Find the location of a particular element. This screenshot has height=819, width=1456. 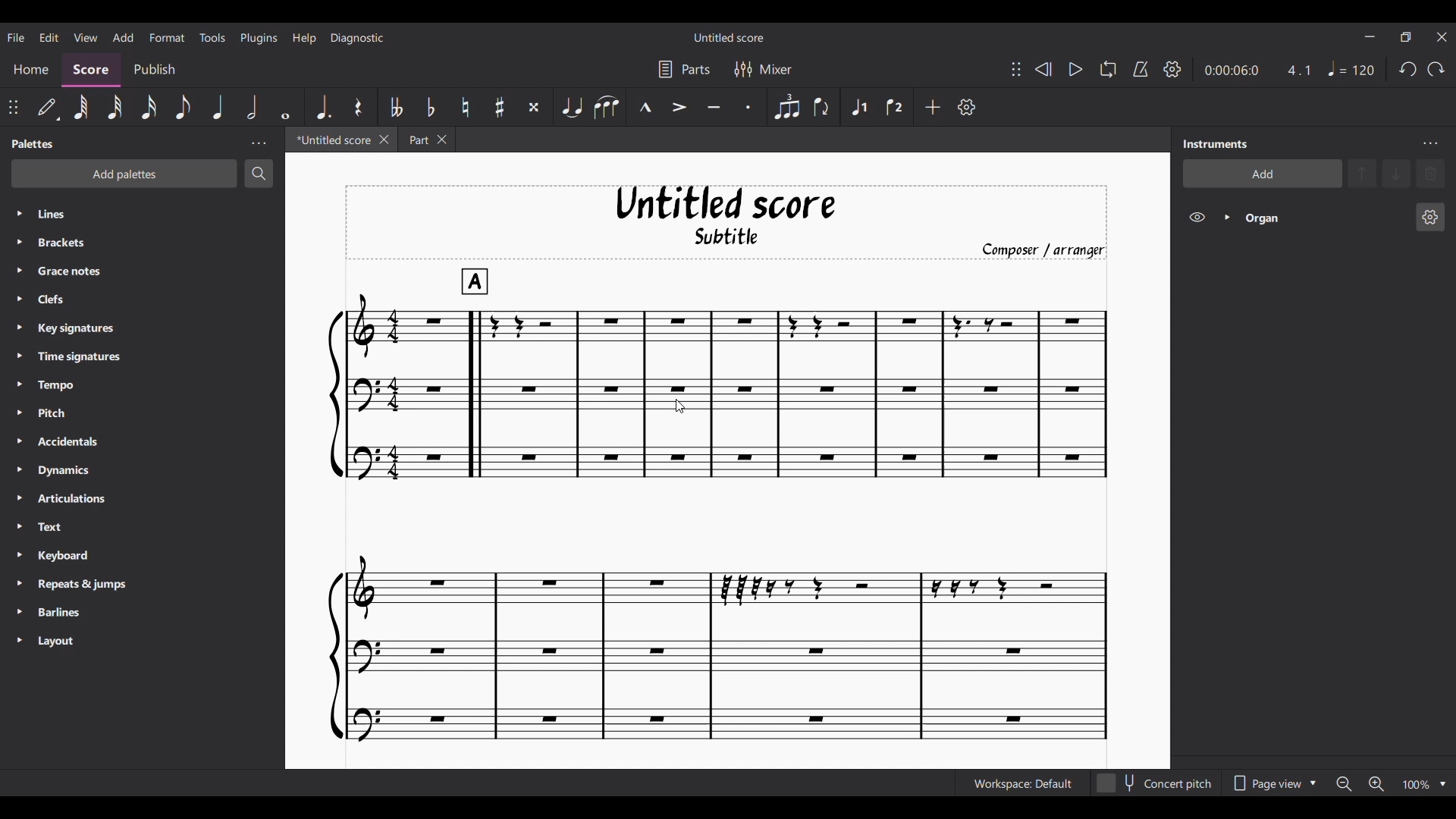

Add menu is located at coordinates (123, 36).